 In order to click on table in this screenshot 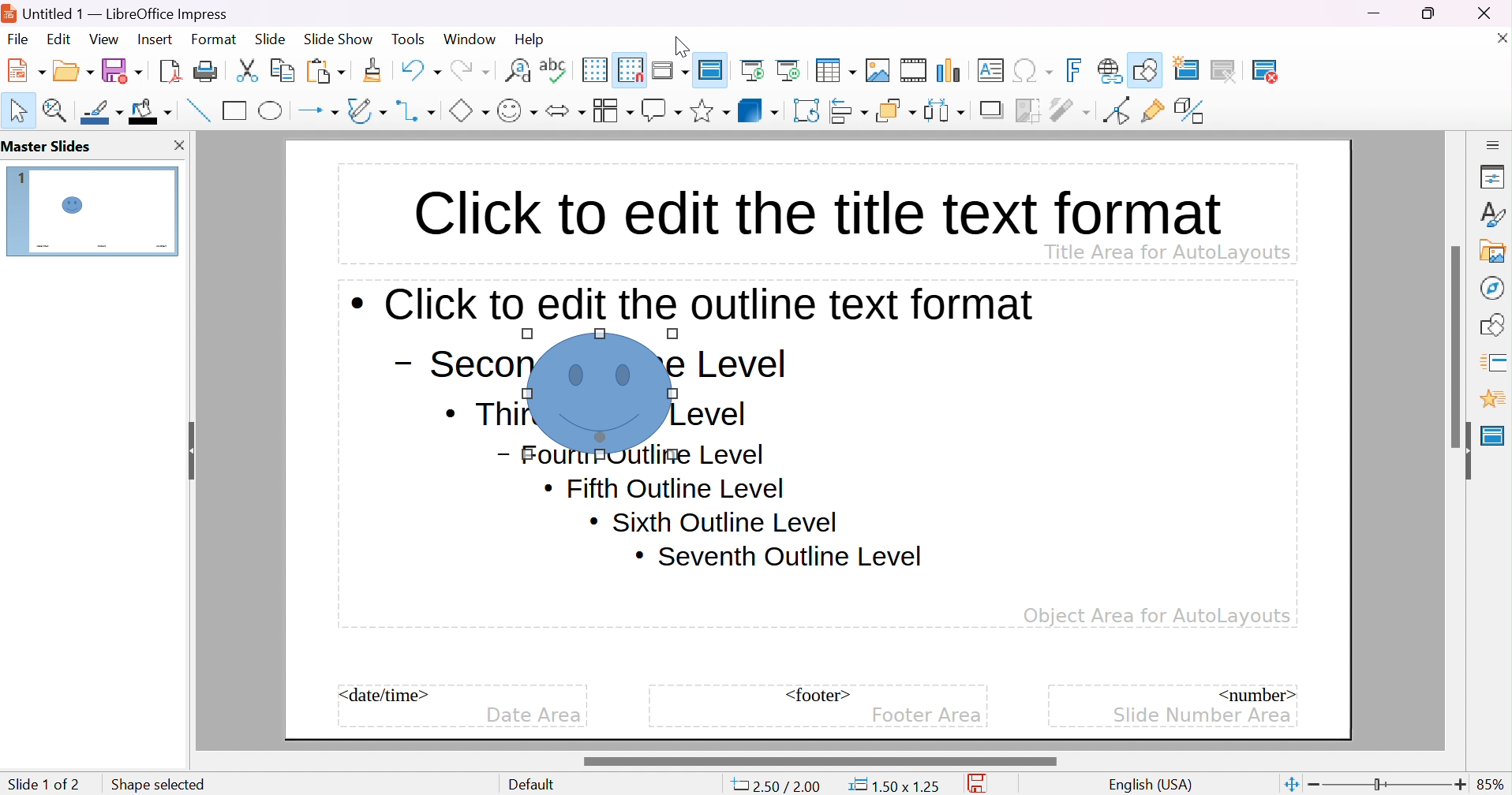, I will do `click(836, 69)`.